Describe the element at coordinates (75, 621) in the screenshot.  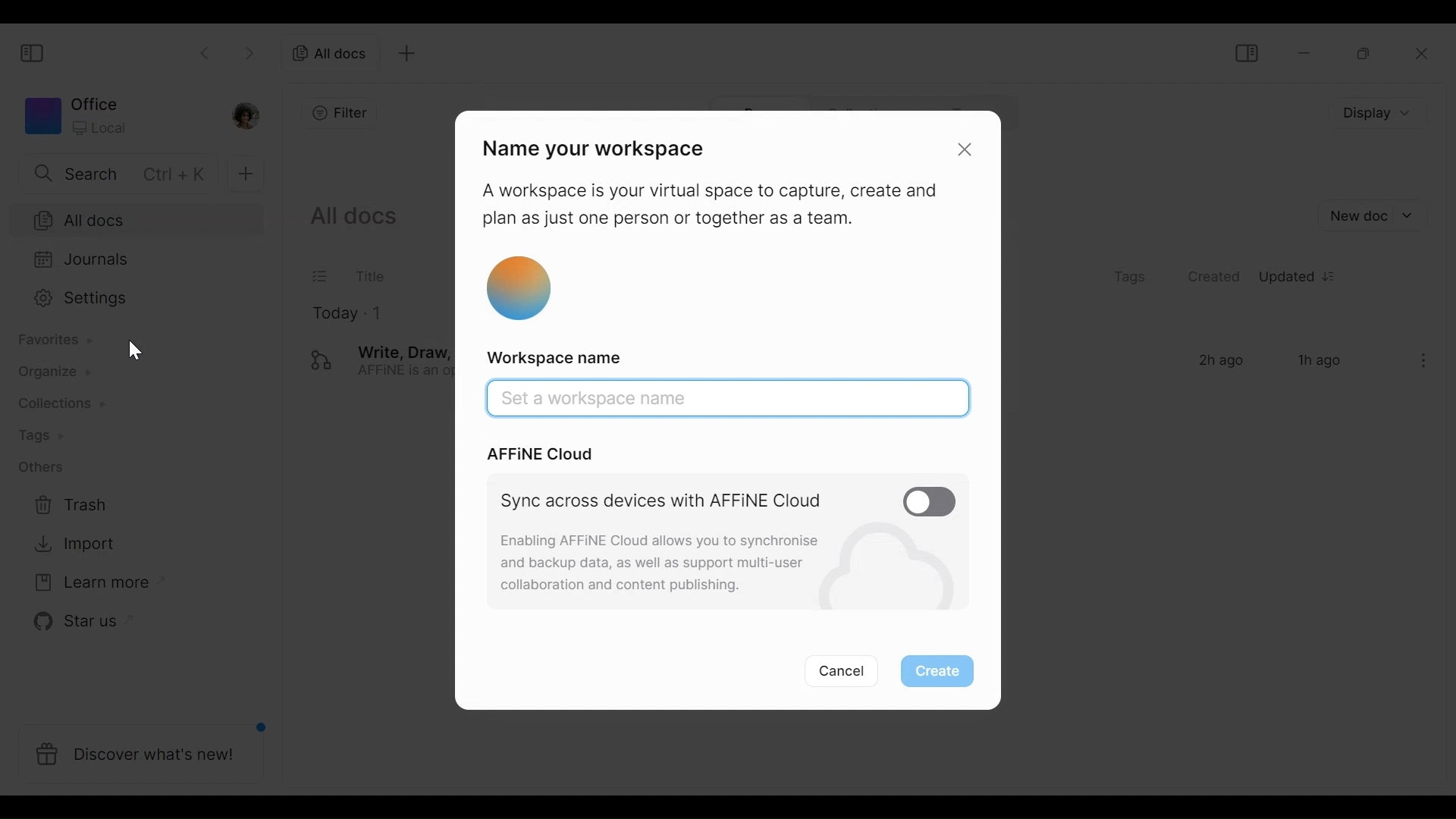
I see `Star us` at that location.